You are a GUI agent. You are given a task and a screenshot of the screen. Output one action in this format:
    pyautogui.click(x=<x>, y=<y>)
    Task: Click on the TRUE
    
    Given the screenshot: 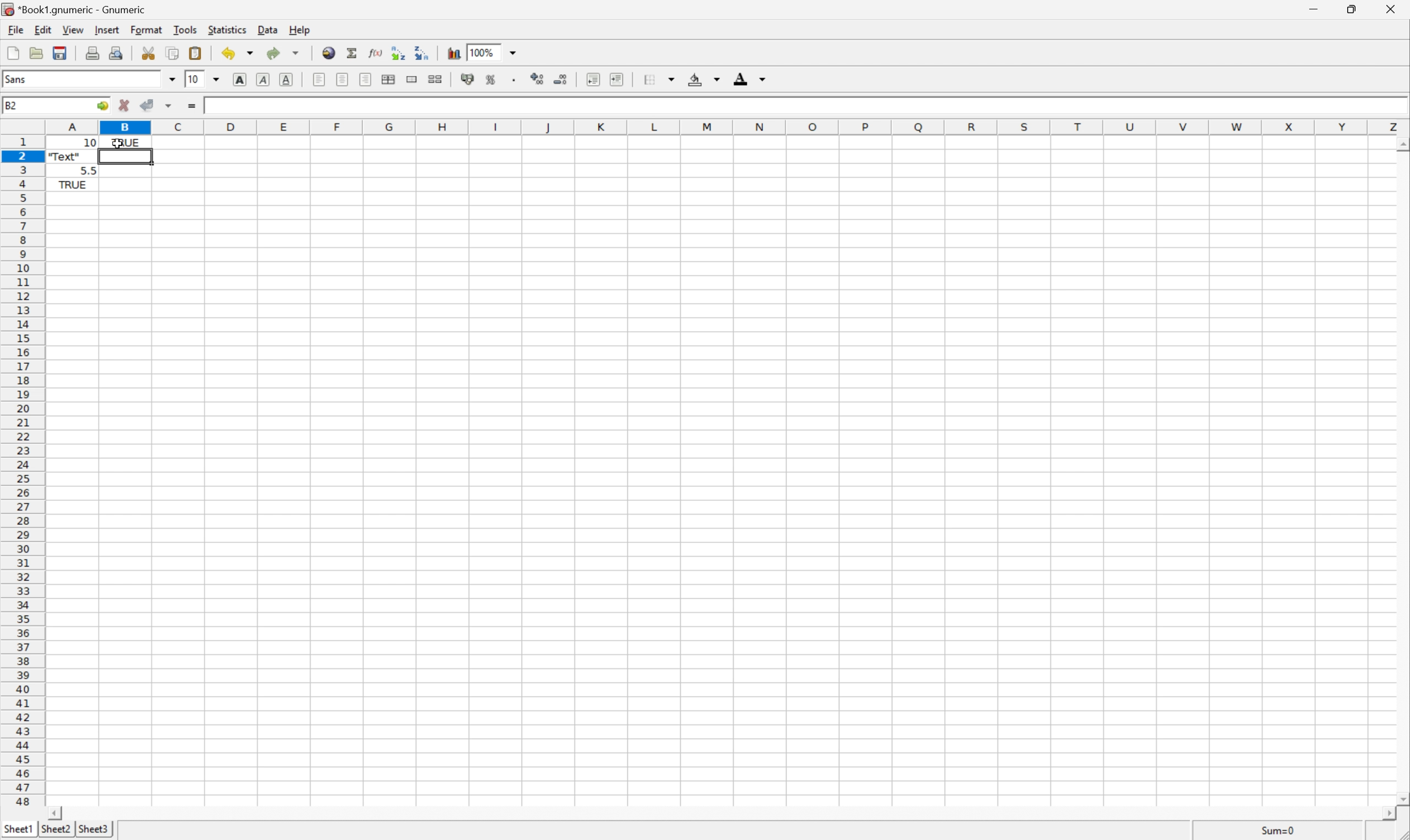 What is the action you would take?
    pyautogui.click(x=72, y=186)
    